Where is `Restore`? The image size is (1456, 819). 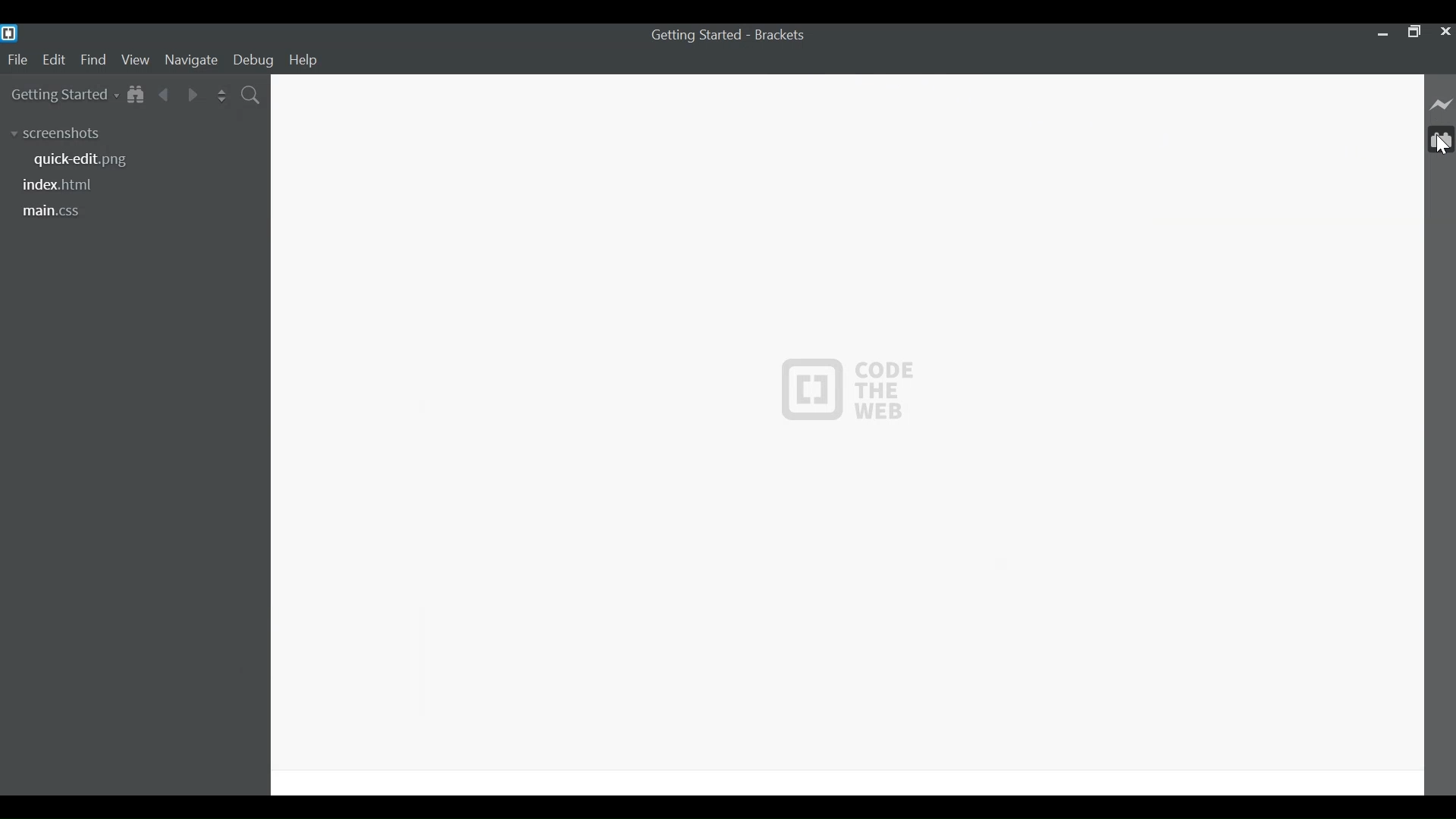 Restore is located at coordinates (1414, 33).